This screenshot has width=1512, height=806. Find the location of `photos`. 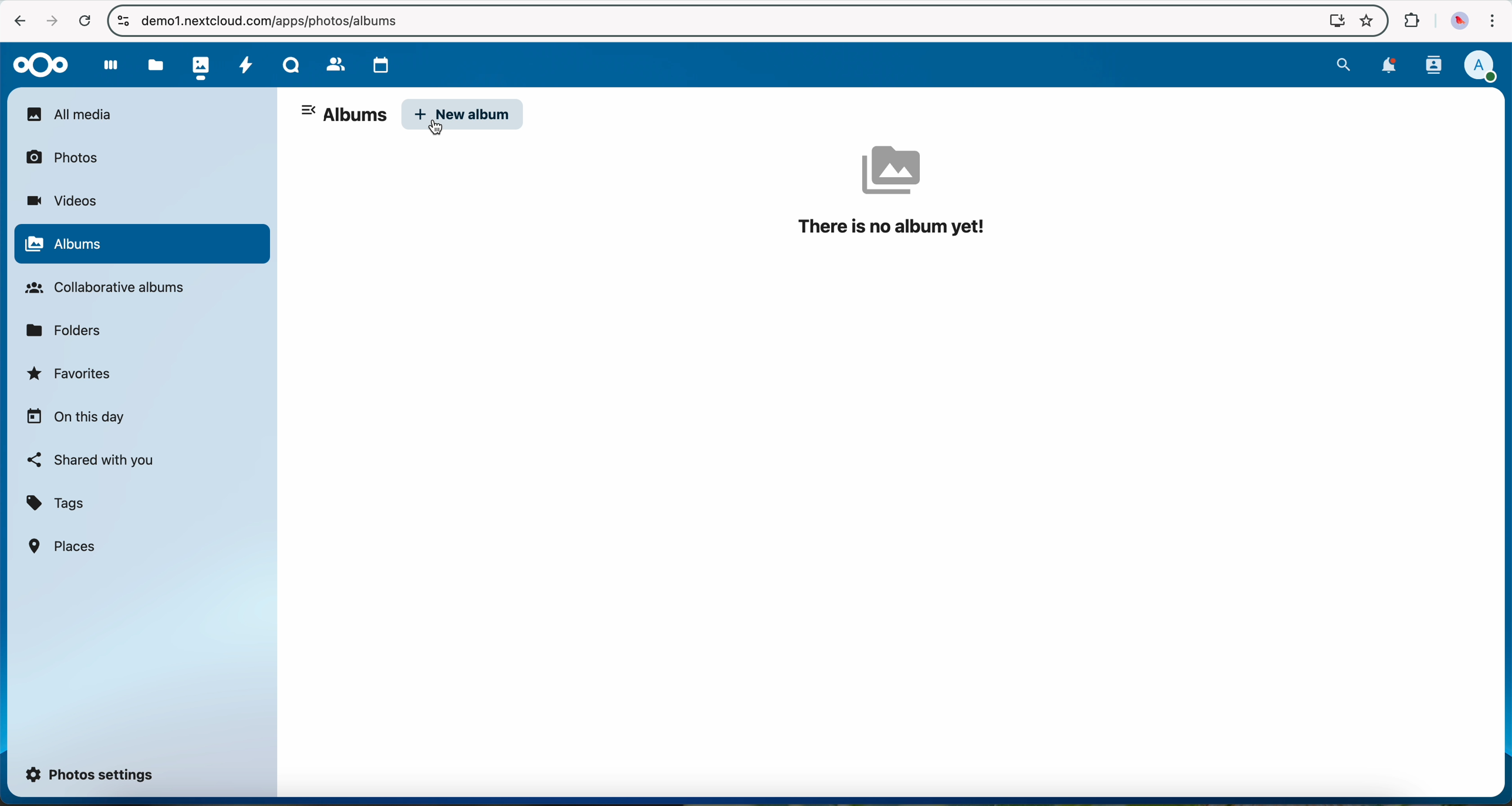

photos is located at coordinates (198, 65).